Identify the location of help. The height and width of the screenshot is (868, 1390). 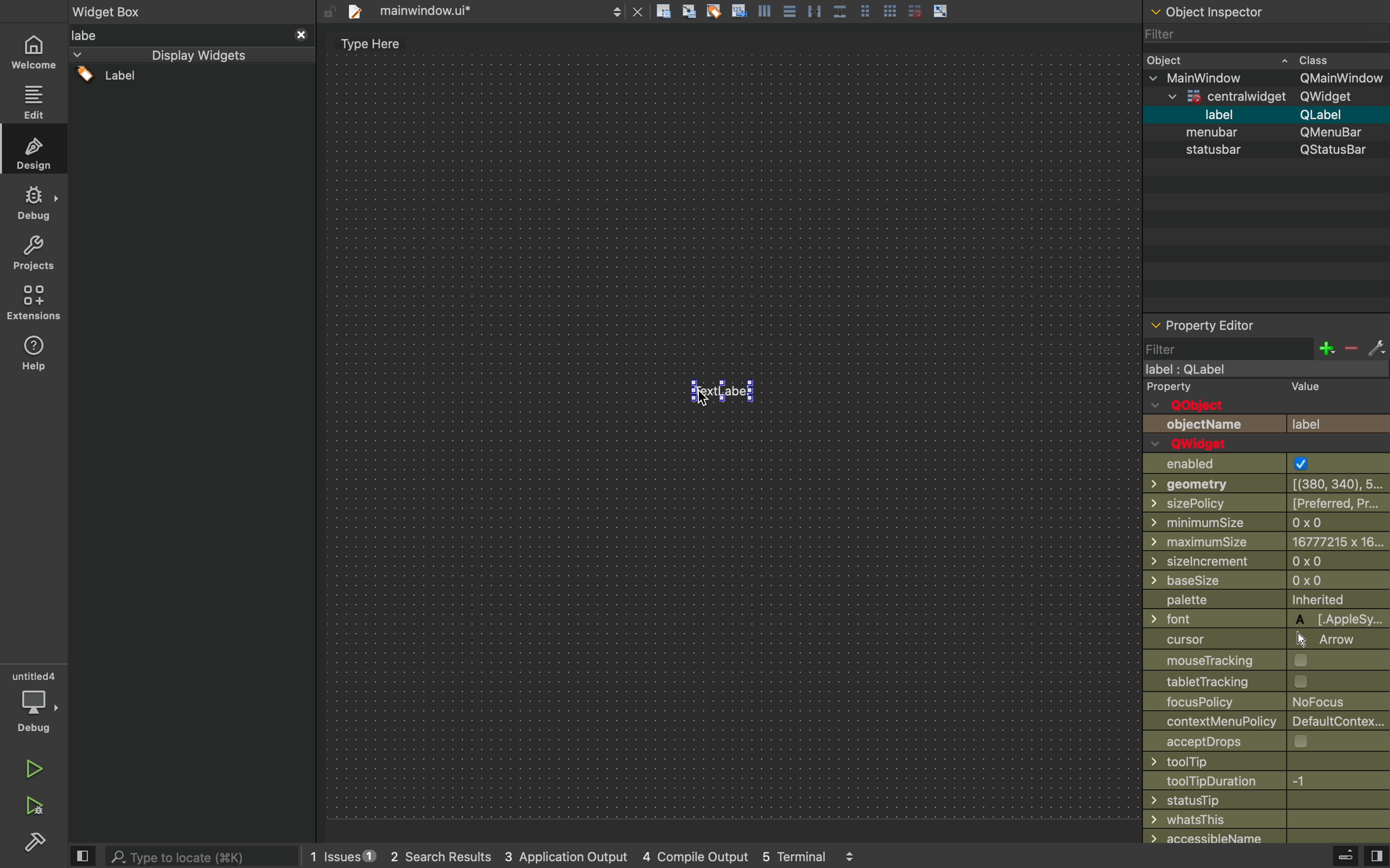
(34, 356).